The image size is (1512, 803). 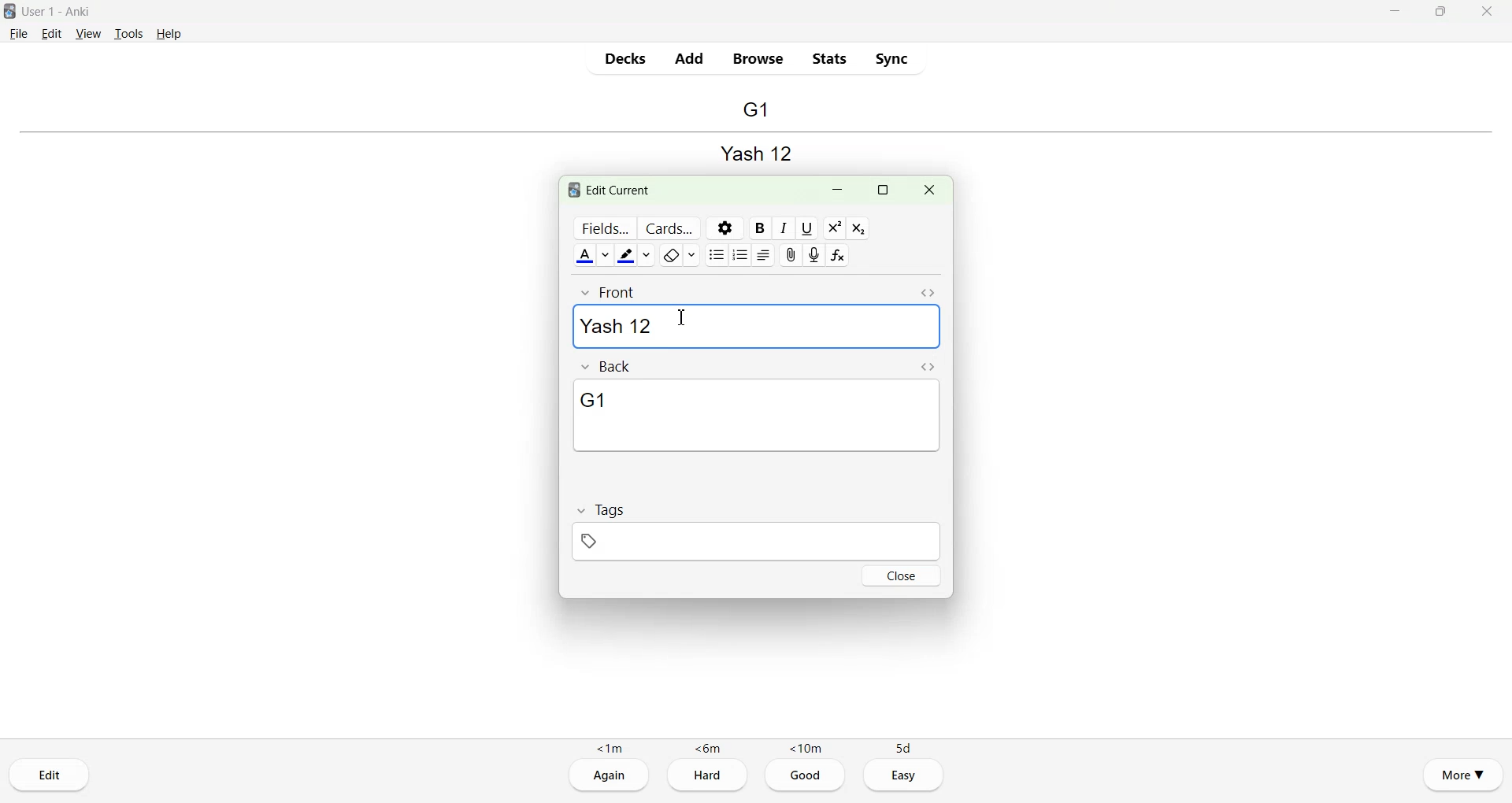 I want to click on Edit, so click(x=53, y=33).